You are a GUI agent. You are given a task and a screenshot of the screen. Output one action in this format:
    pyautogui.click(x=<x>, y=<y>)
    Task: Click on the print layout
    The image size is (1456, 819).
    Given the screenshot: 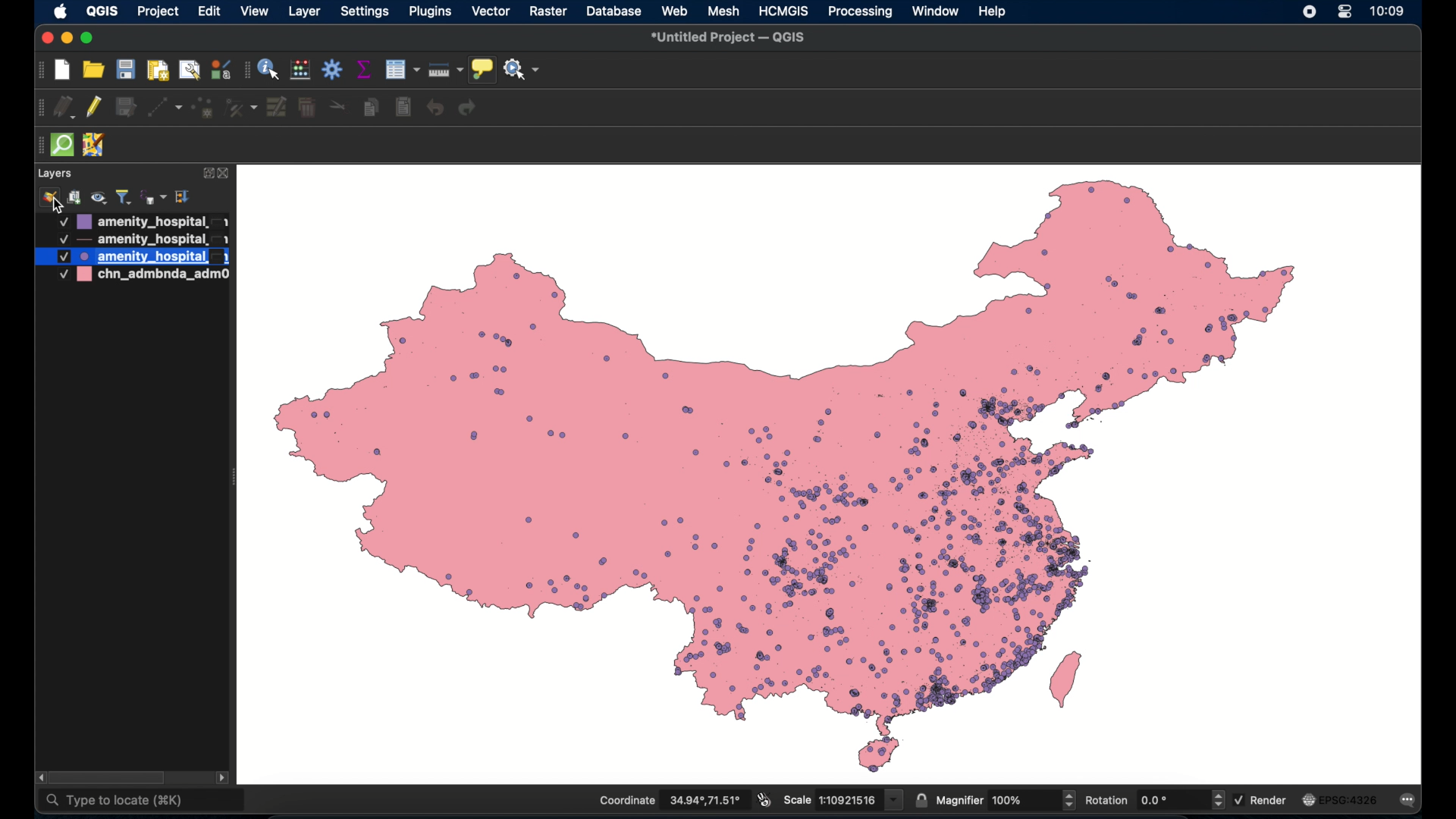 What is the action you would take?
    pyautogui.click(x=159, y=72)
    